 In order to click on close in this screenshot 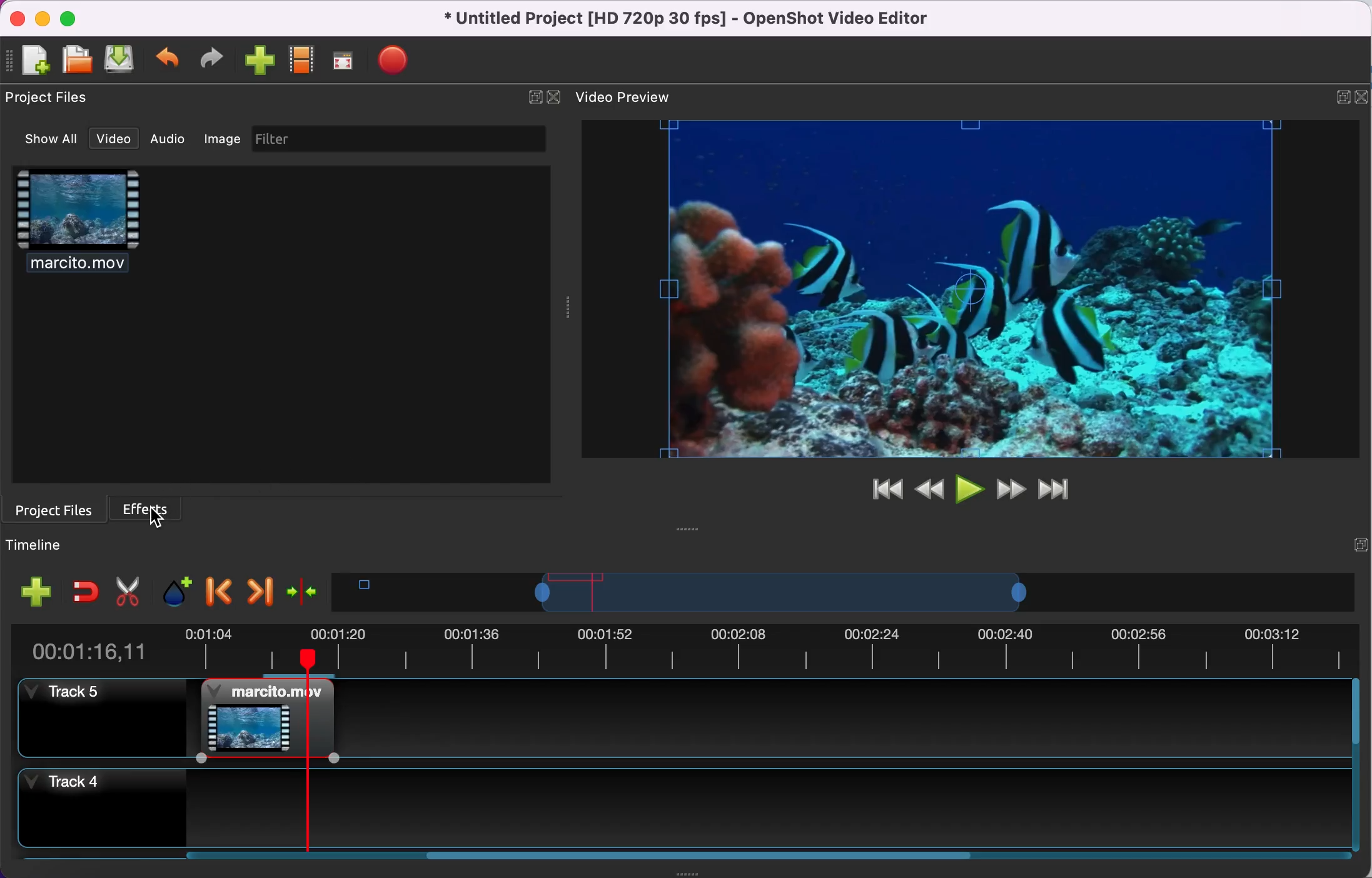, I will do `click(20, 17)`.